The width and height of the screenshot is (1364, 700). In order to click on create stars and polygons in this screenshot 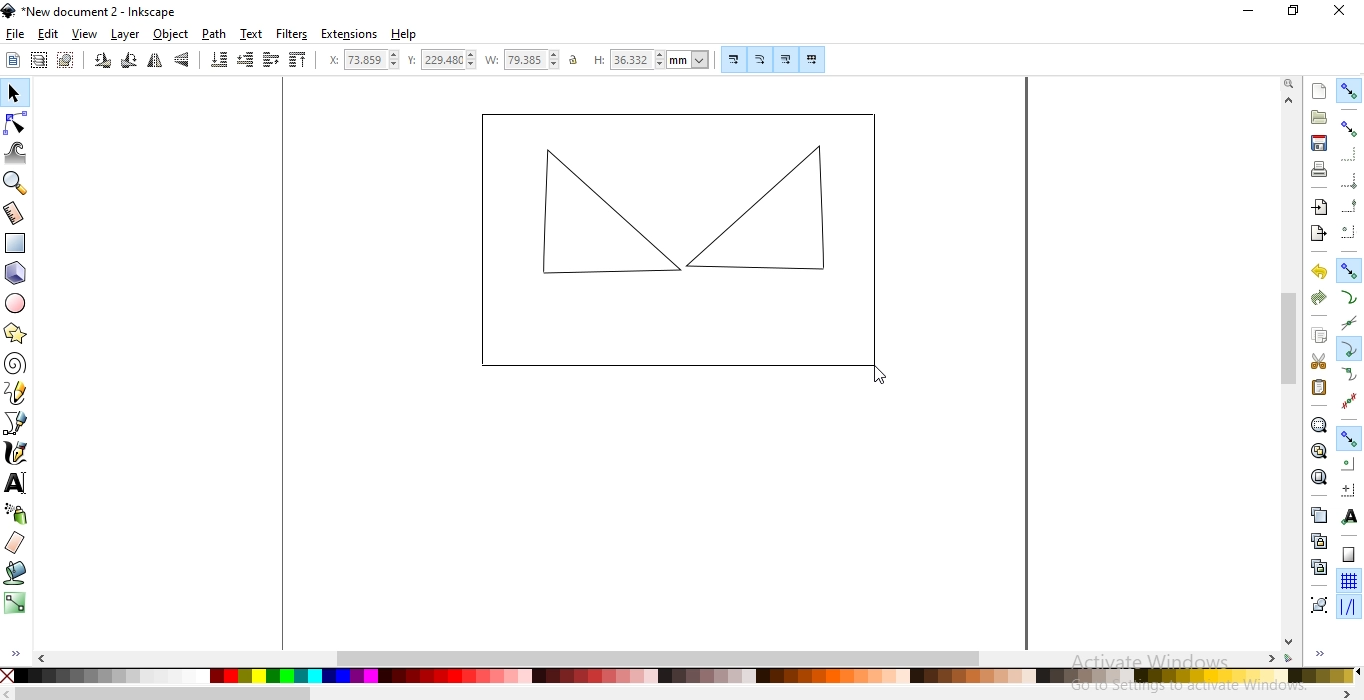, I will do `click(16, 333)`.